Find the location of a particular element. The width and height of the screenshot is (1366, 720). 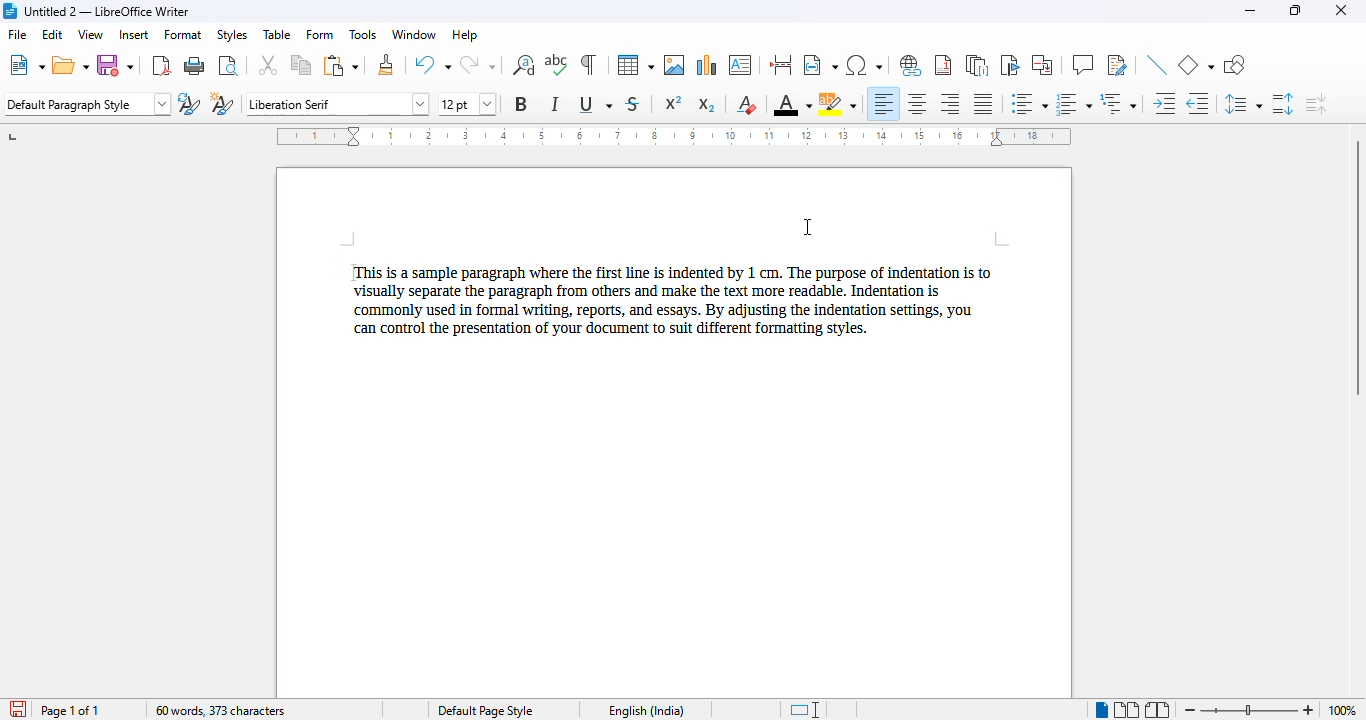

single-page view is located at coordinates (1102, 710).